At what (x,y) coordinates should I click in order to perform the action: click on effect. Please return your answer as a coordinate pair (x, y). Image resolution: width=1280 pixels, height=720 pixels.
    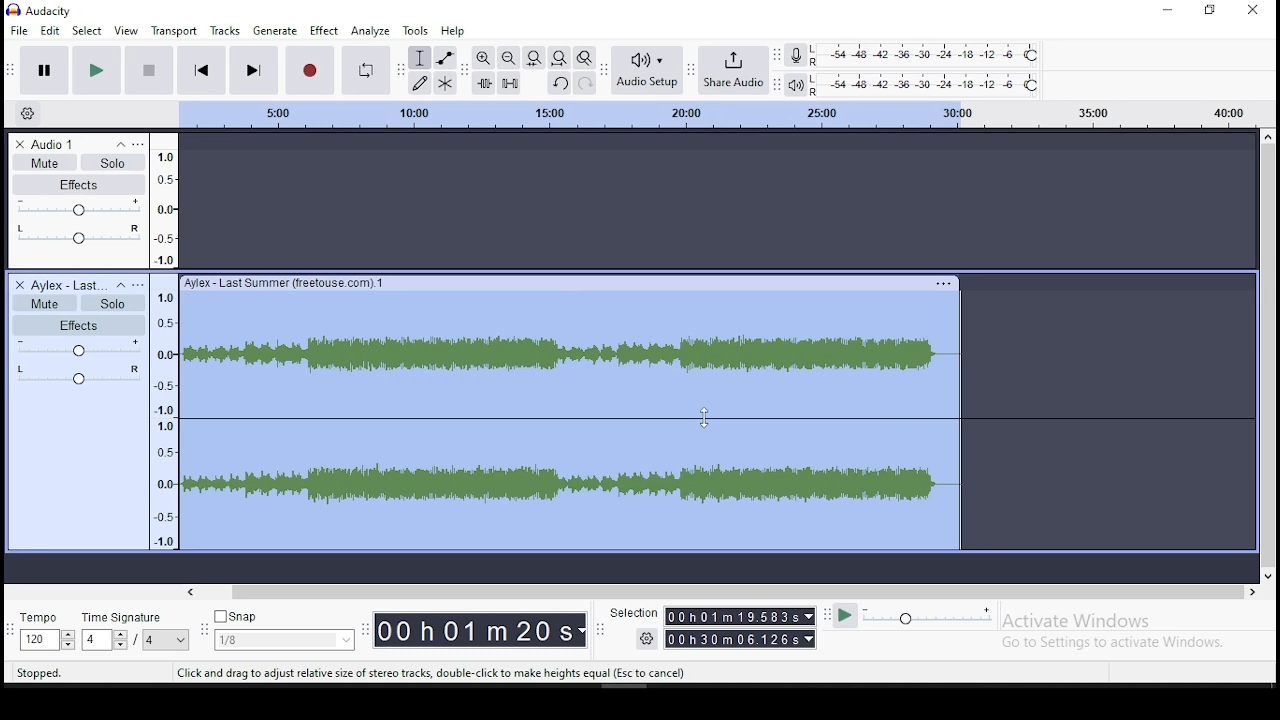
    Looking at the image, I should click on (323, 31).